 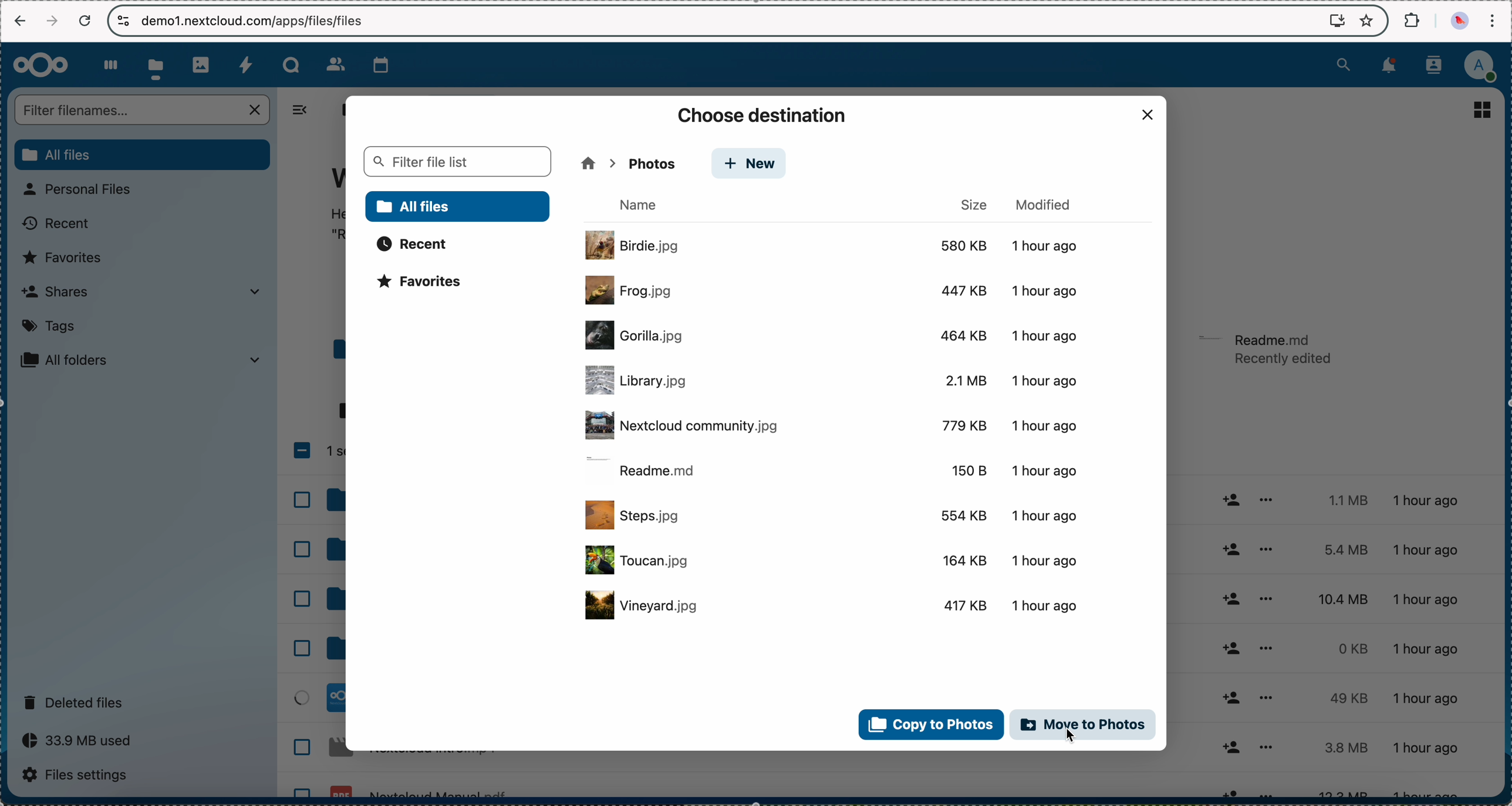 What do you see at coordinates (1437, 645) in the screenshot?
I see `1 hour ago` at bounding box center [1437, 645].